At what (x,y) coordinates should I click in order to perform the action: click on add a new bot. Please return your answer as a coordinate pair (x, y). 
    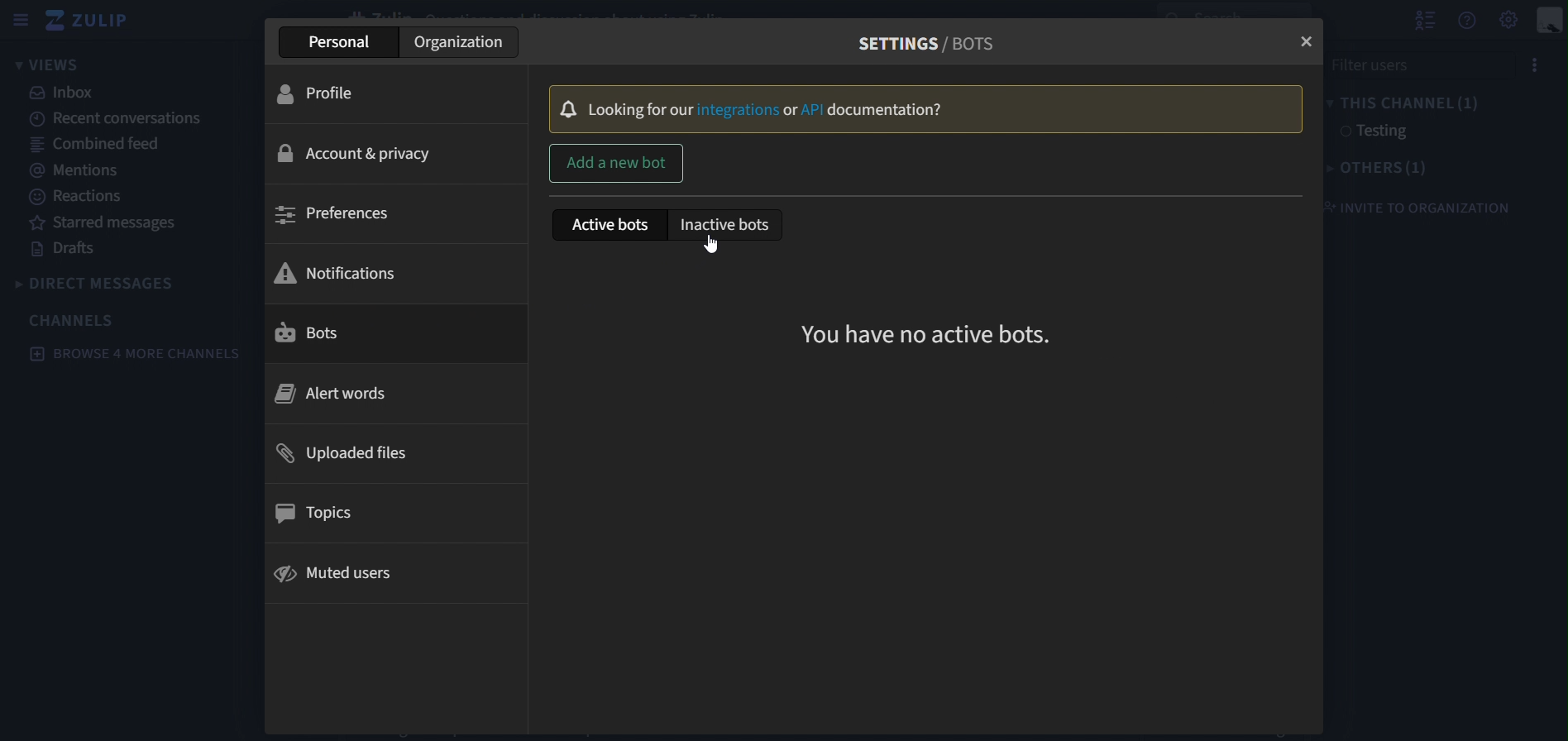
    Looking at the image, I should click on (616, 162).